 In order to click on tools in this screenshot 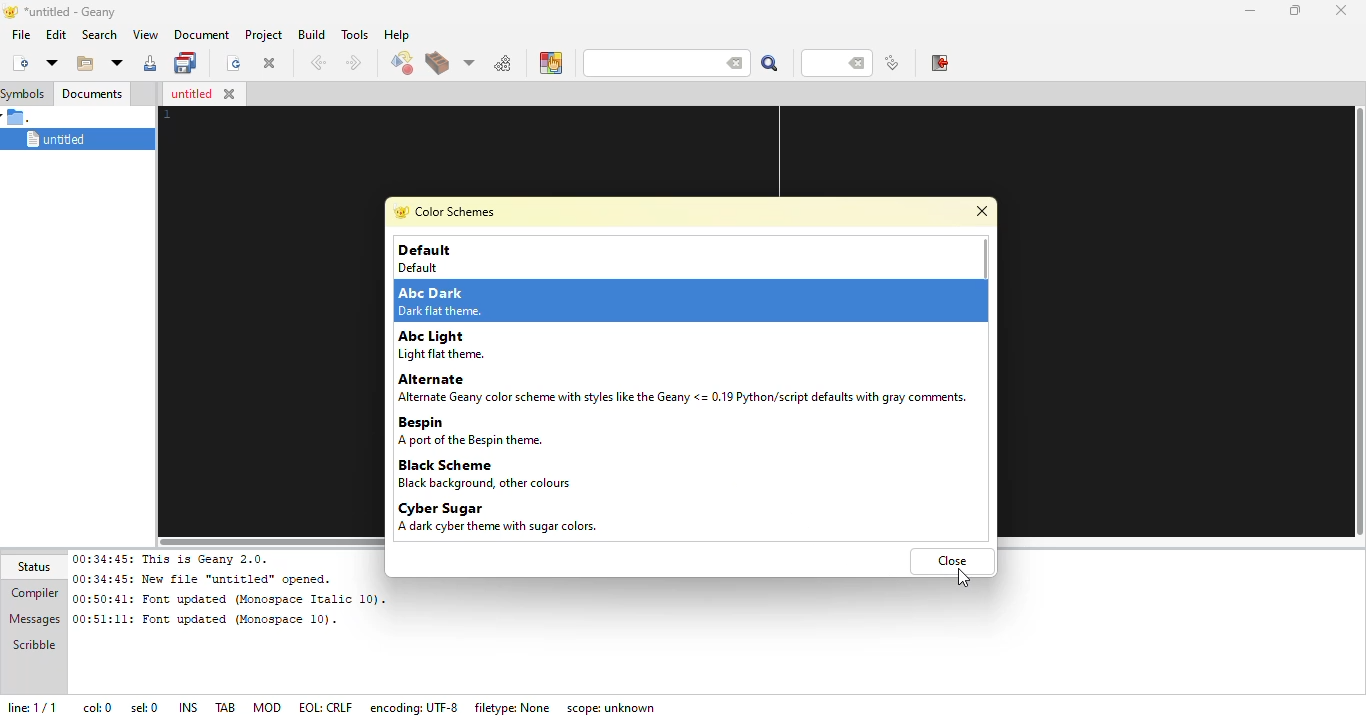, I will do `click(355, 34)`.